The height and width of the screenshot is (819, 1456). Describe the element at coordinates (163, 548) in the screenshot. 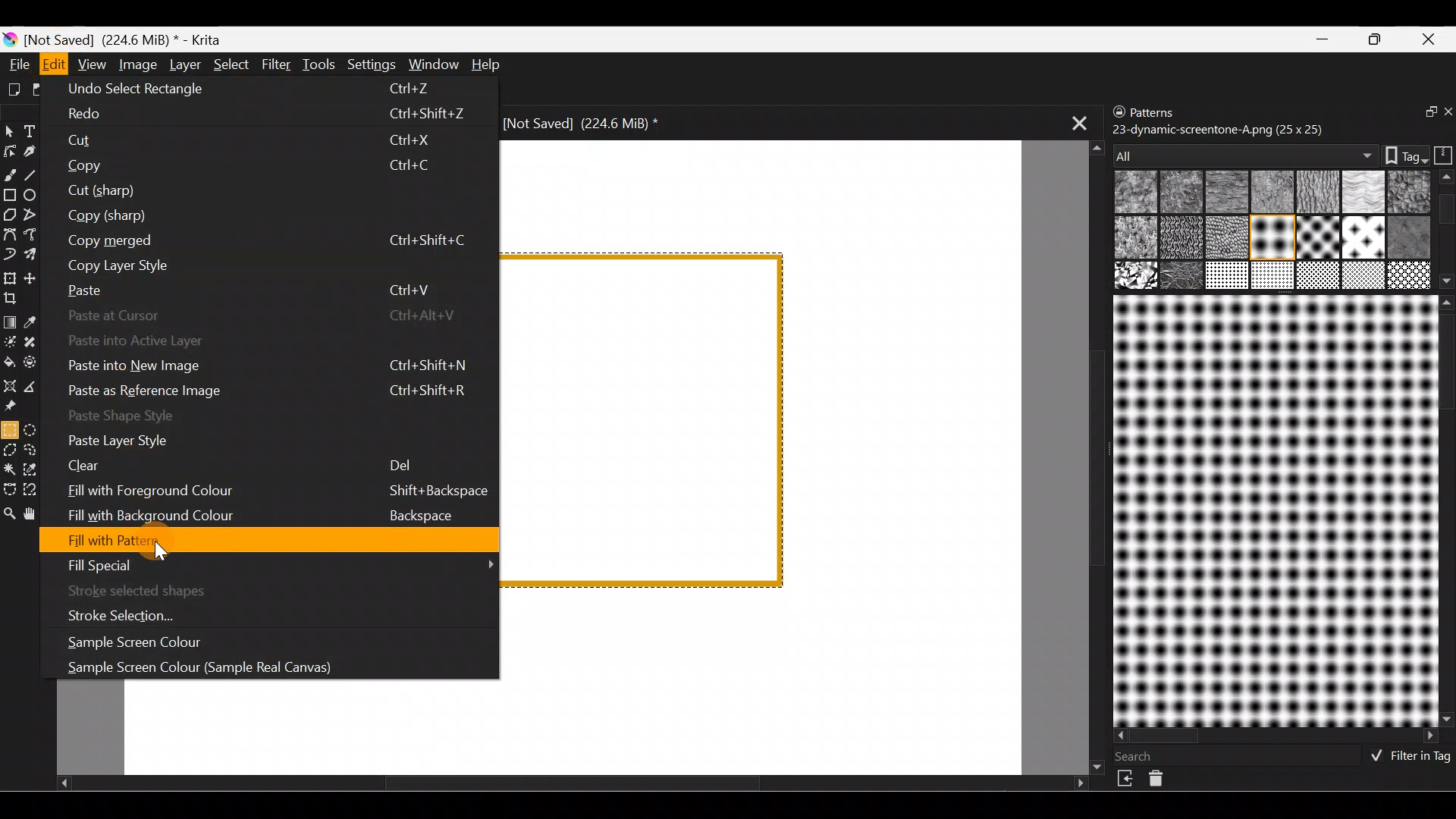

I see `Cursor on Fill with pattern` at that location.